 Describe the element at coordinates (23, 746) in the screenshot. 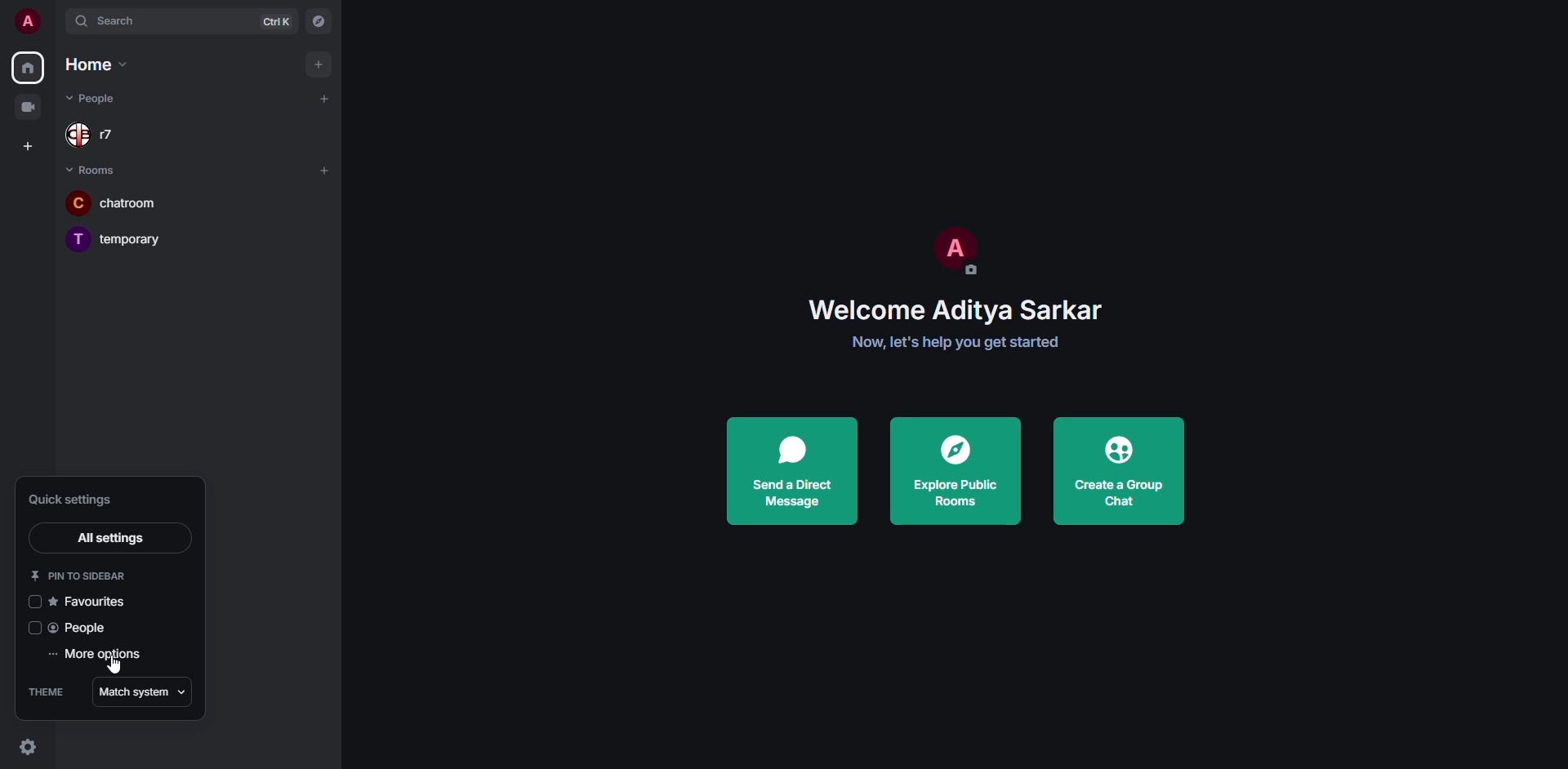

I see `quick settings` at that location.